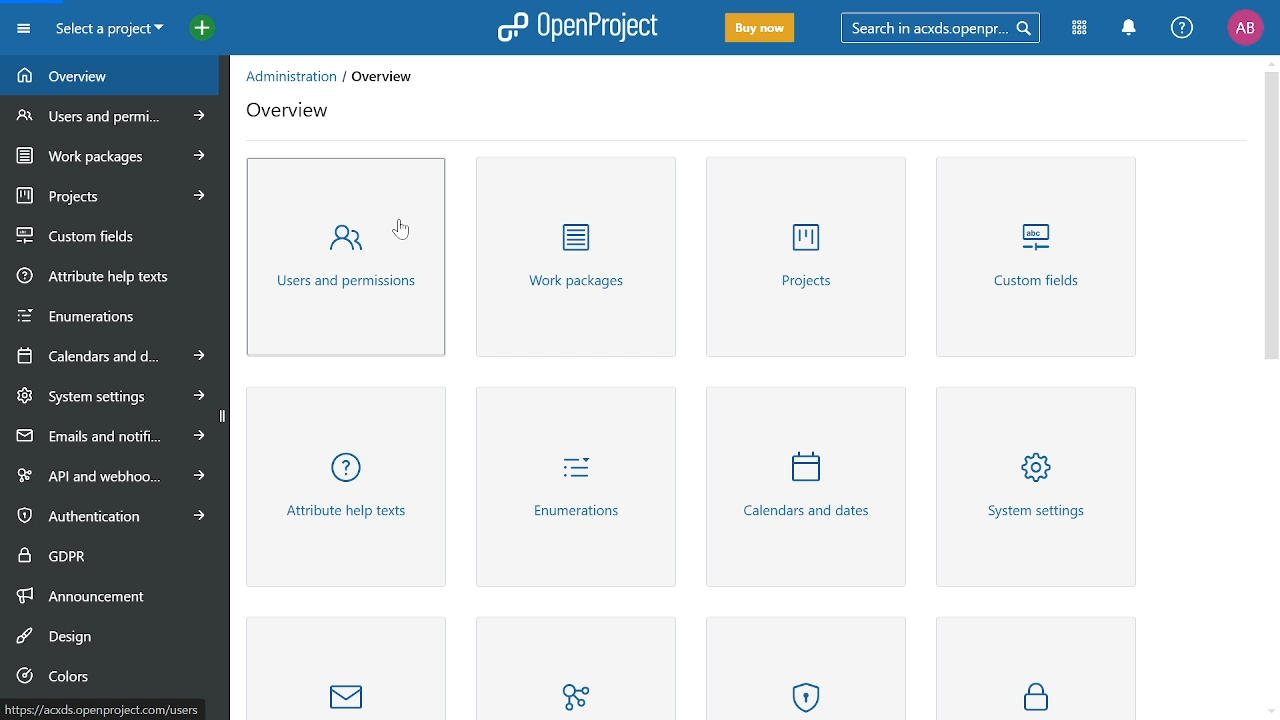  I want to click on Open quick add menu, so click(192, 27).